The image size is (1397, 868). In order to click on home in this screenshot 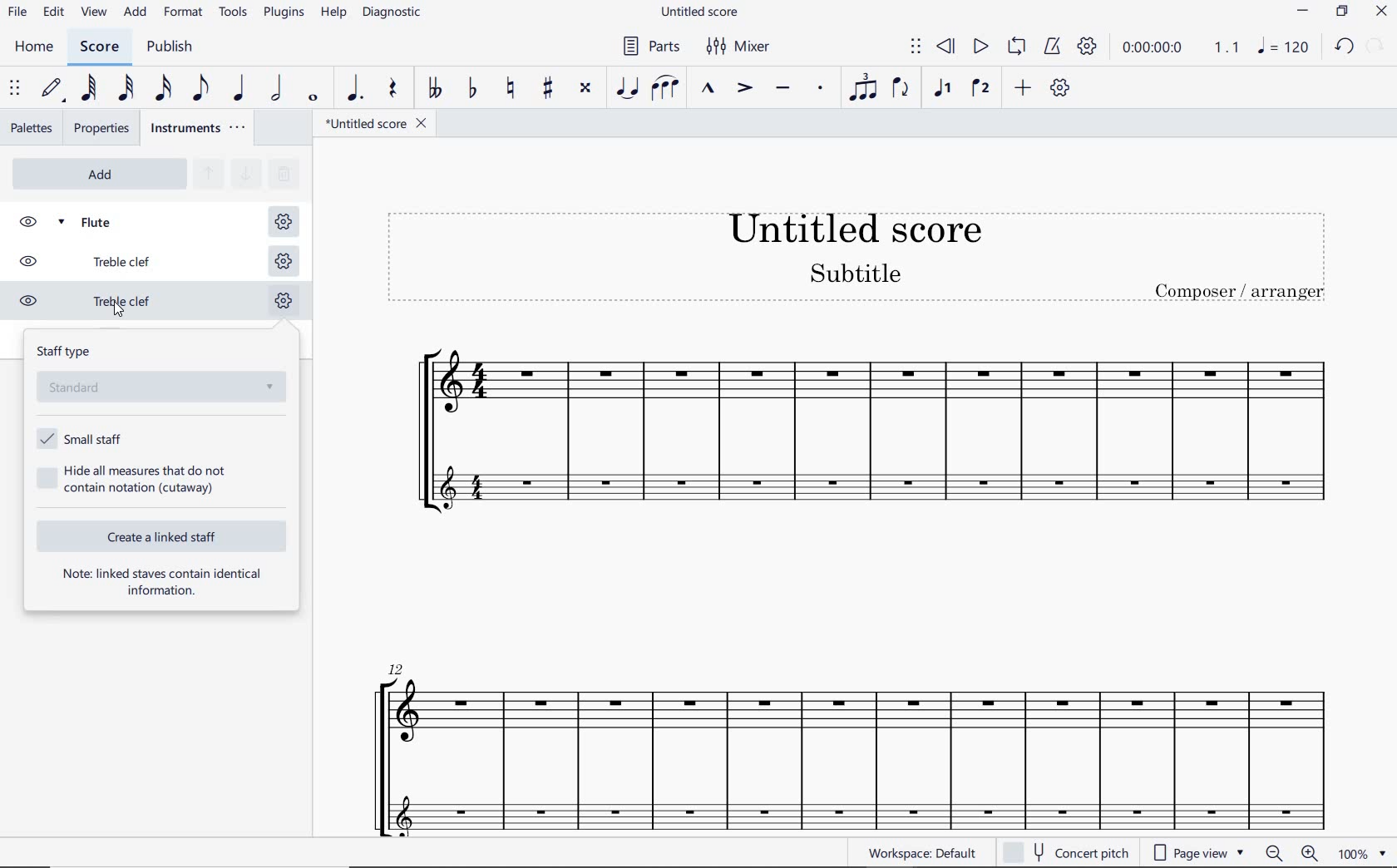, I will do `click(38, 49)`.